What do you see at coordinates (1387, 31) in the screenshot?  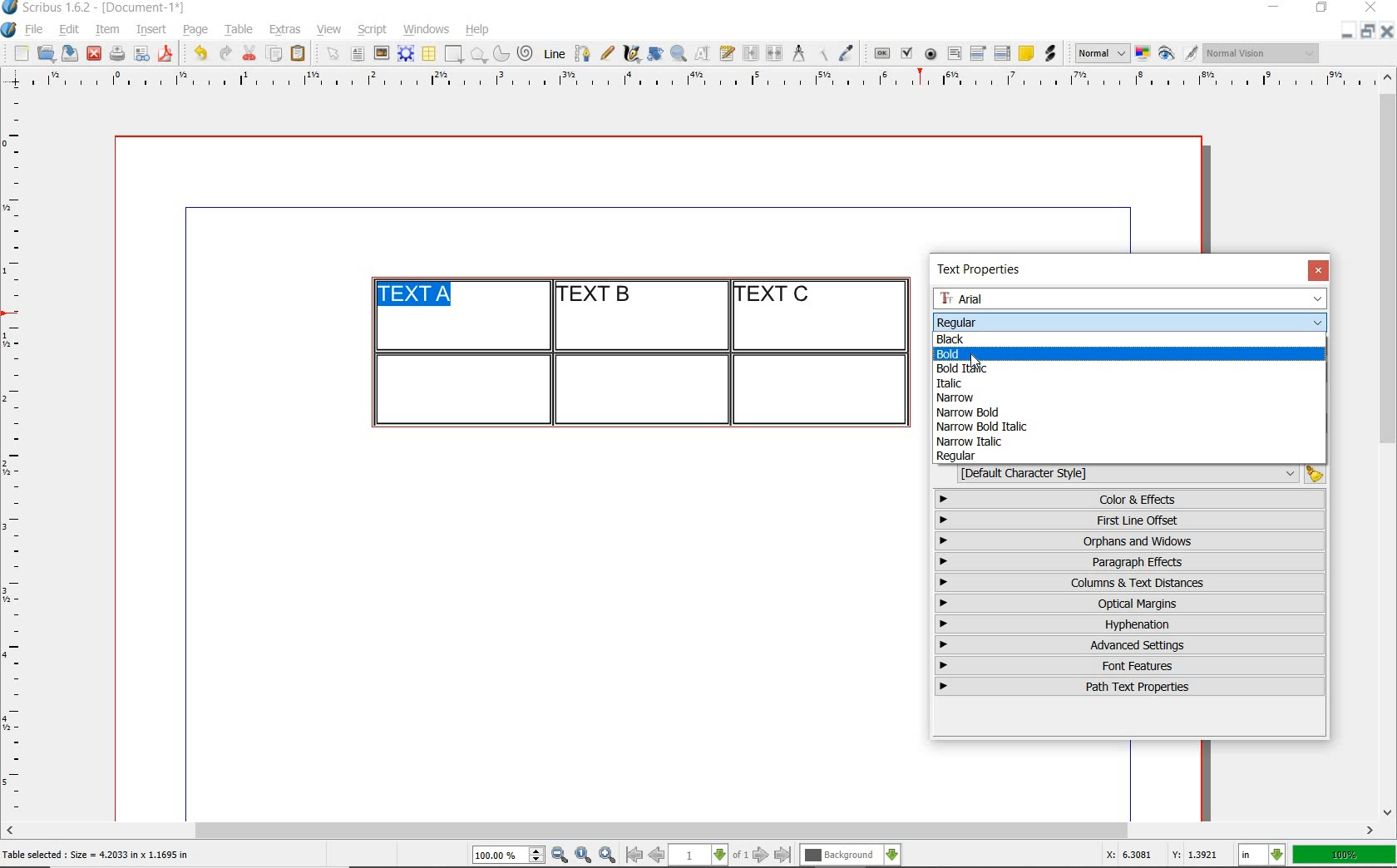 I see `close` at bounding box center [1387, 31].